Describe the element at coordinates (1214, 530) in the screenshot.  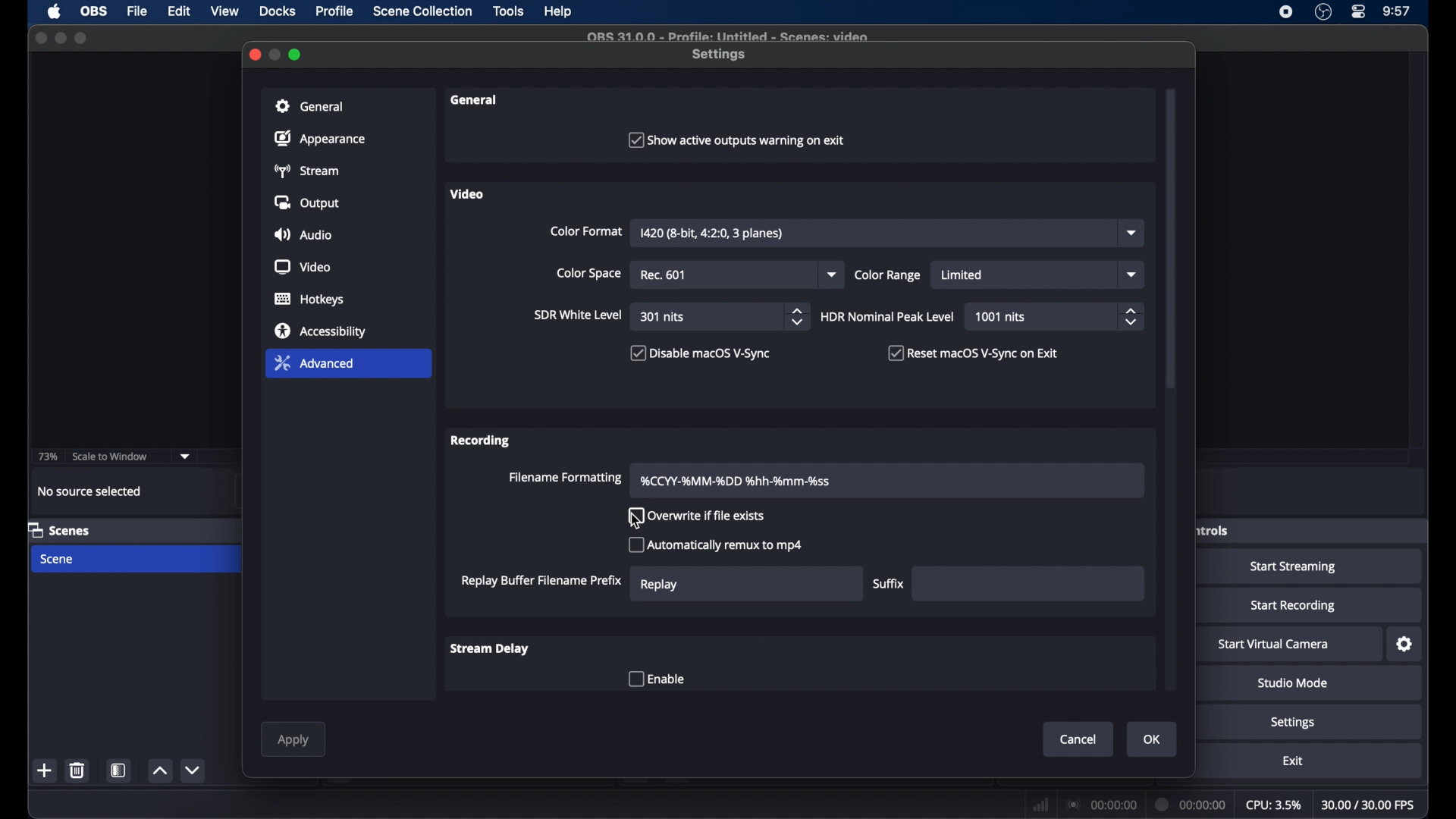
I see `obscure label` at that location.